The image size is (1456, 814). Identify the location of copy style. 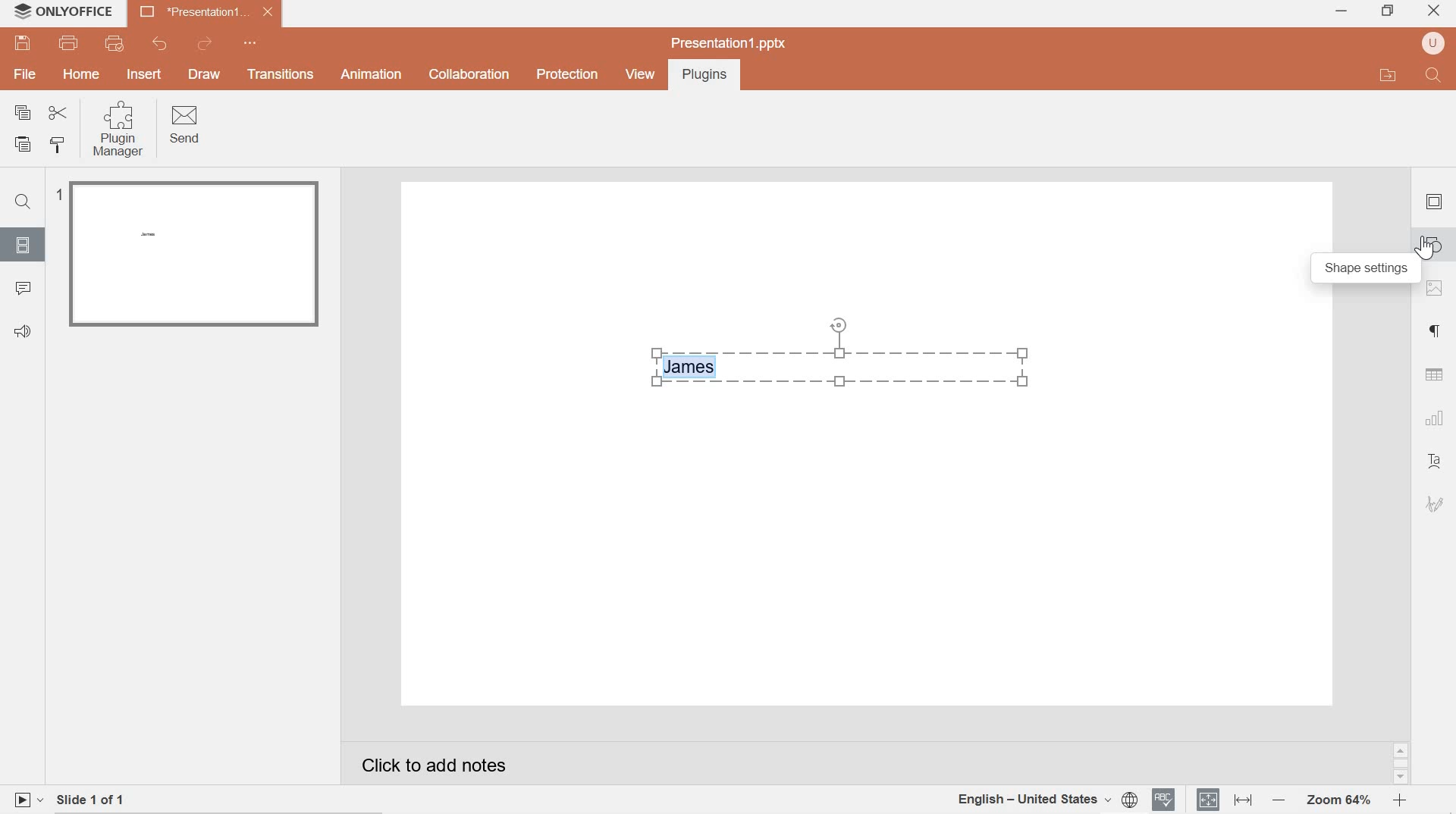
(62, 146).